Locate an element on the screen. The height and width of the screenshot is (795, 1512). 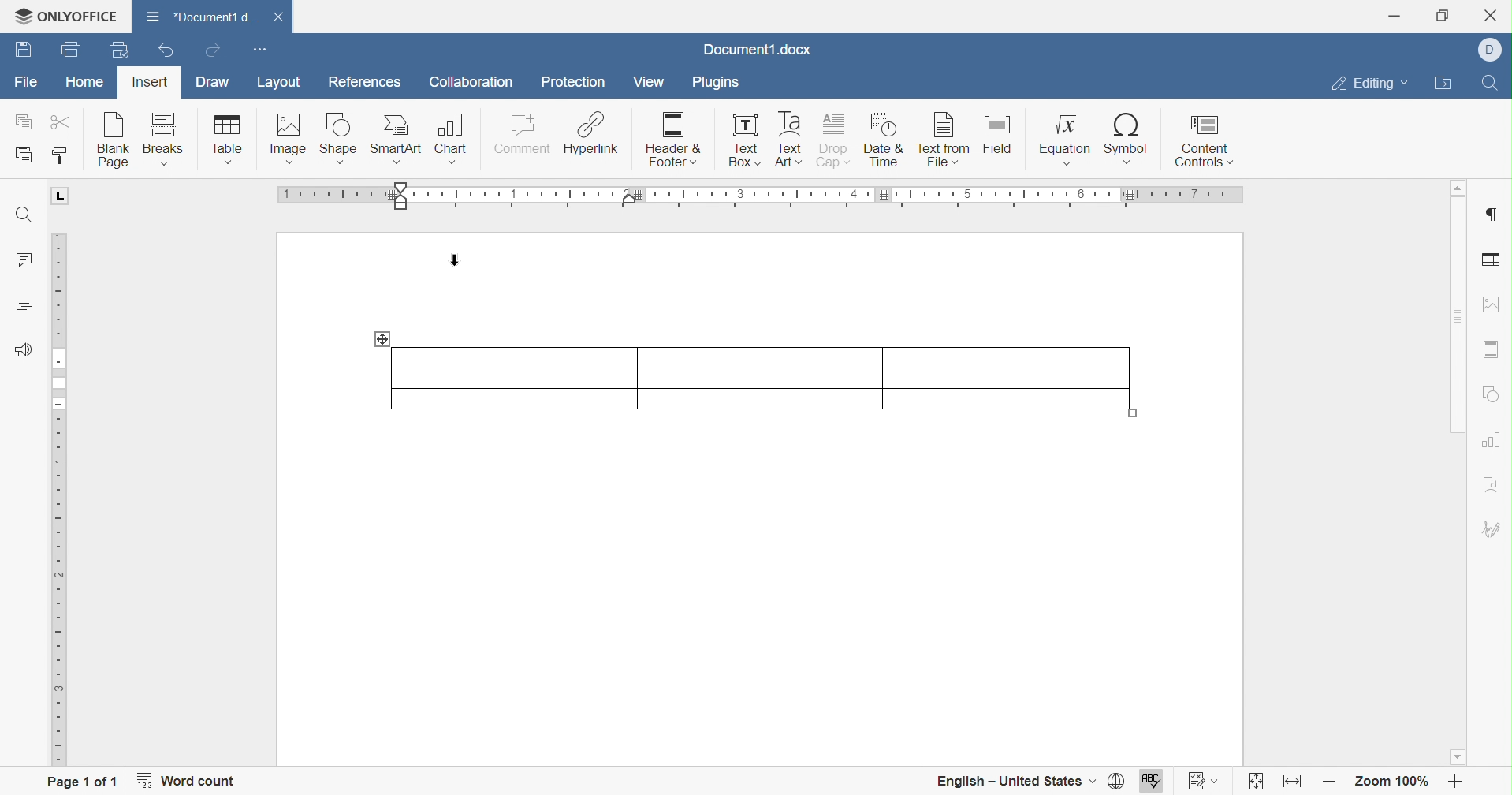
Collaboration is located at coordinates (470, 81).